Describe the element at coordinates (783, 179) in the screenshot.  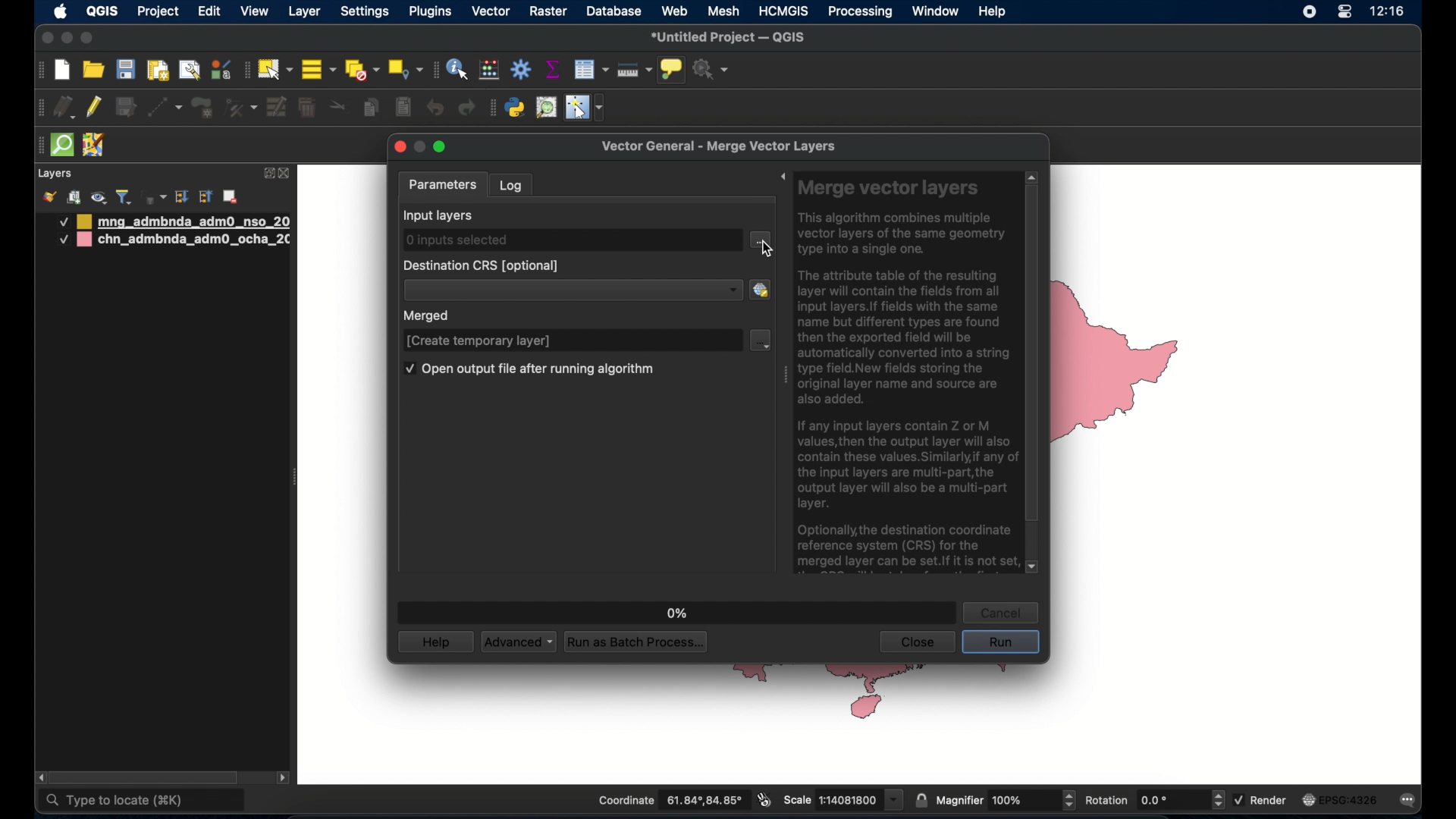
I see `expand` at that location.